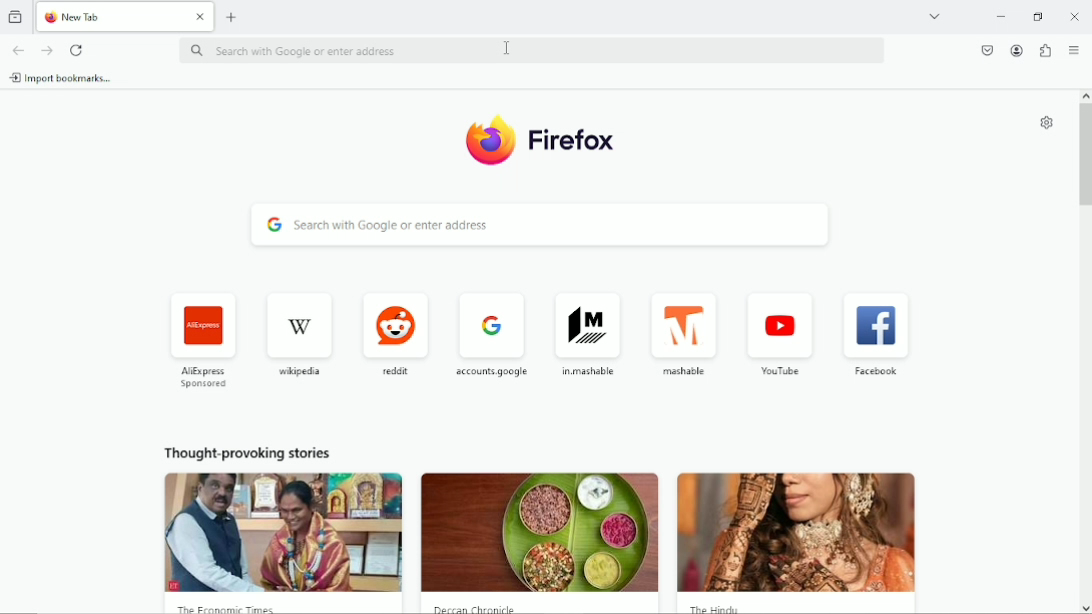 This screenshot has height=614, width=1092. Describe the element at coordinates (1046, 122) in the screenshot. I see `personalize new tab` at that location.